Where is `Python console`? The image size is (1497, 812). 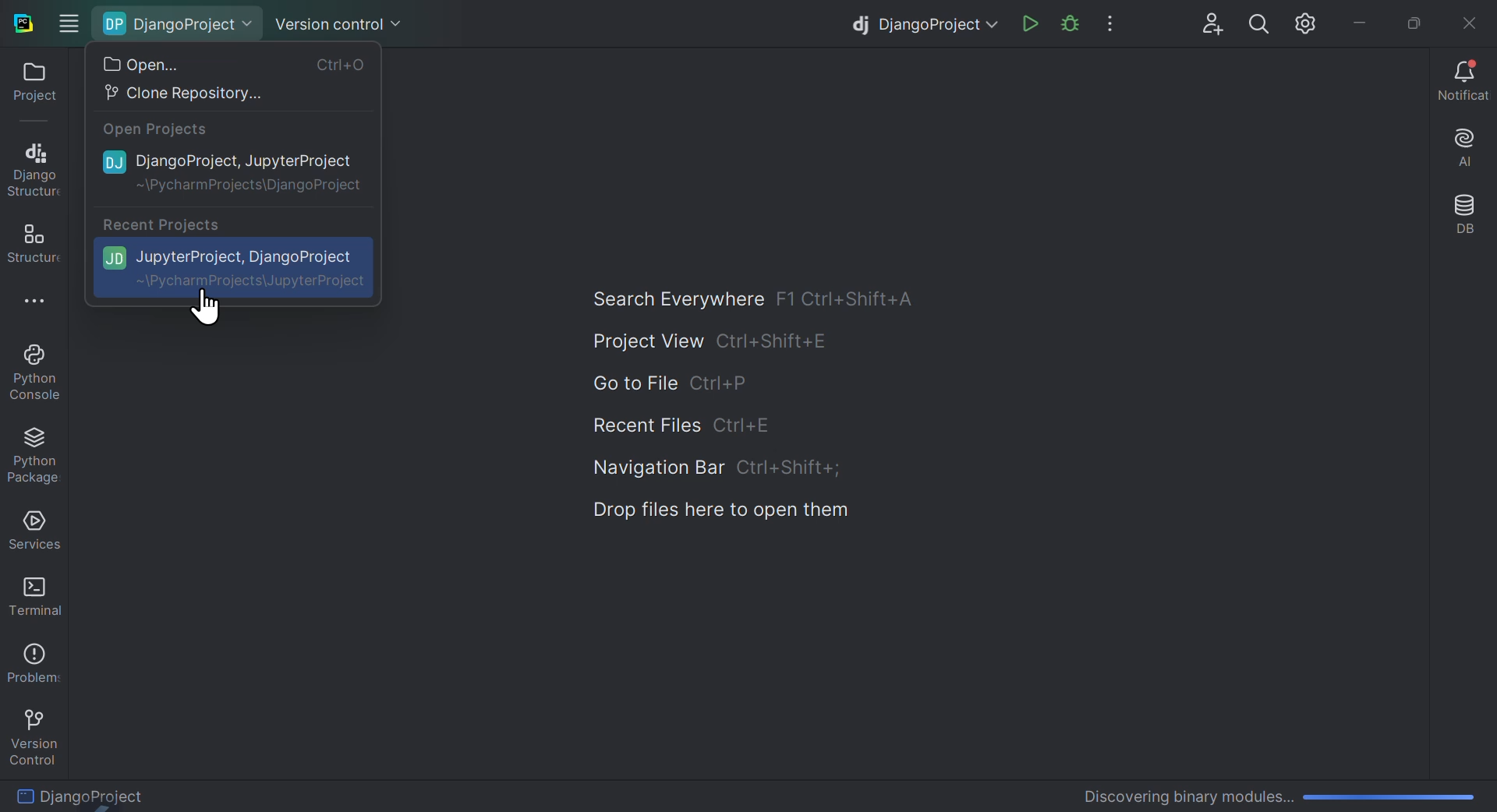 Python console is located at coordinates (39, 374).